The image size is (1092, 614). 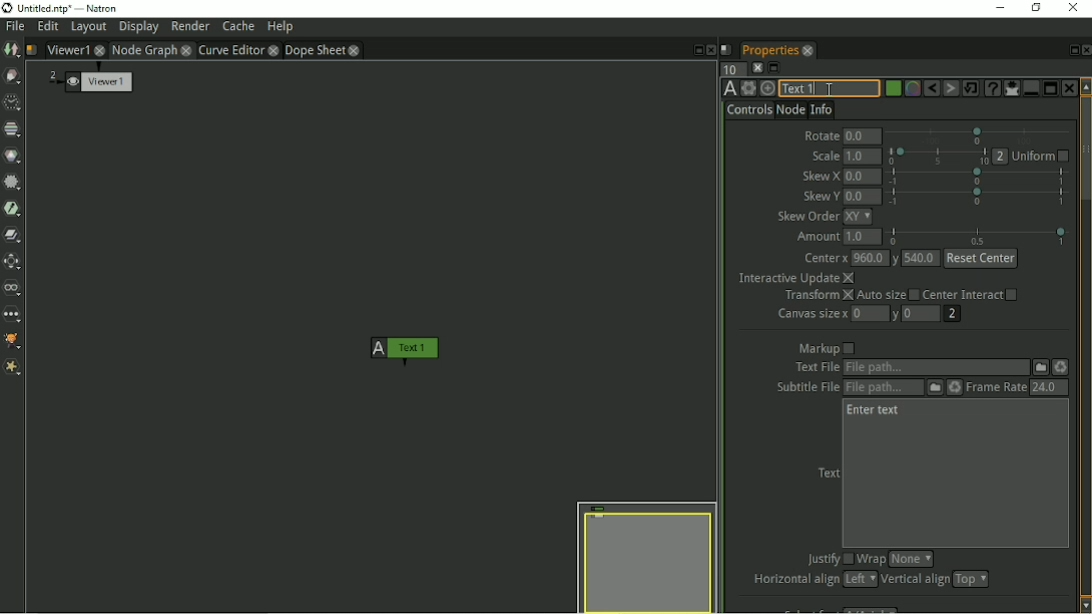 I want to click on Views, so click(x=14, y=288).